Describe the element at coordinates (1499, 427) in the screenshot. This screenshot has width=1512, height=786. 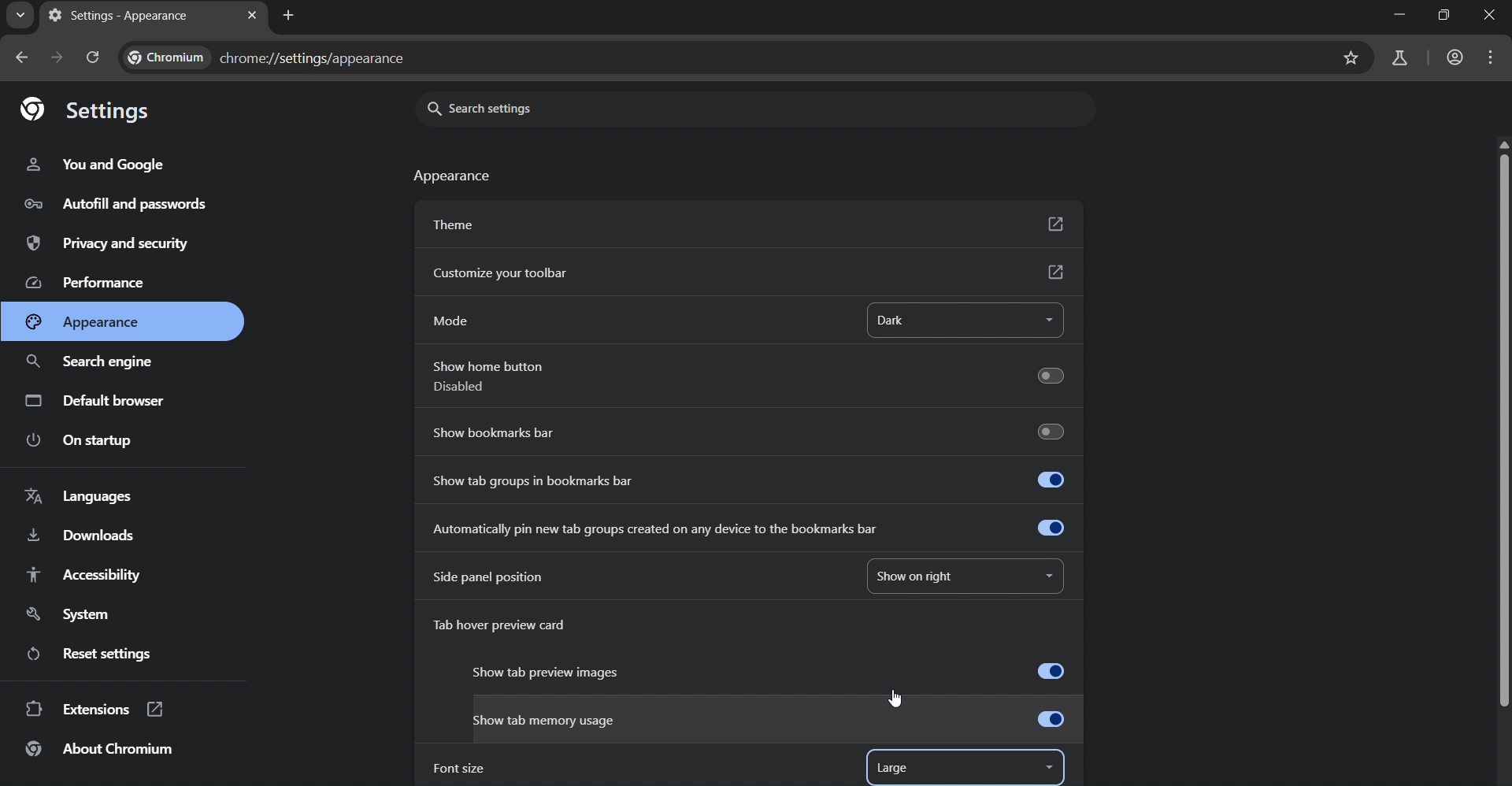
I see `scrollbar` at that location.